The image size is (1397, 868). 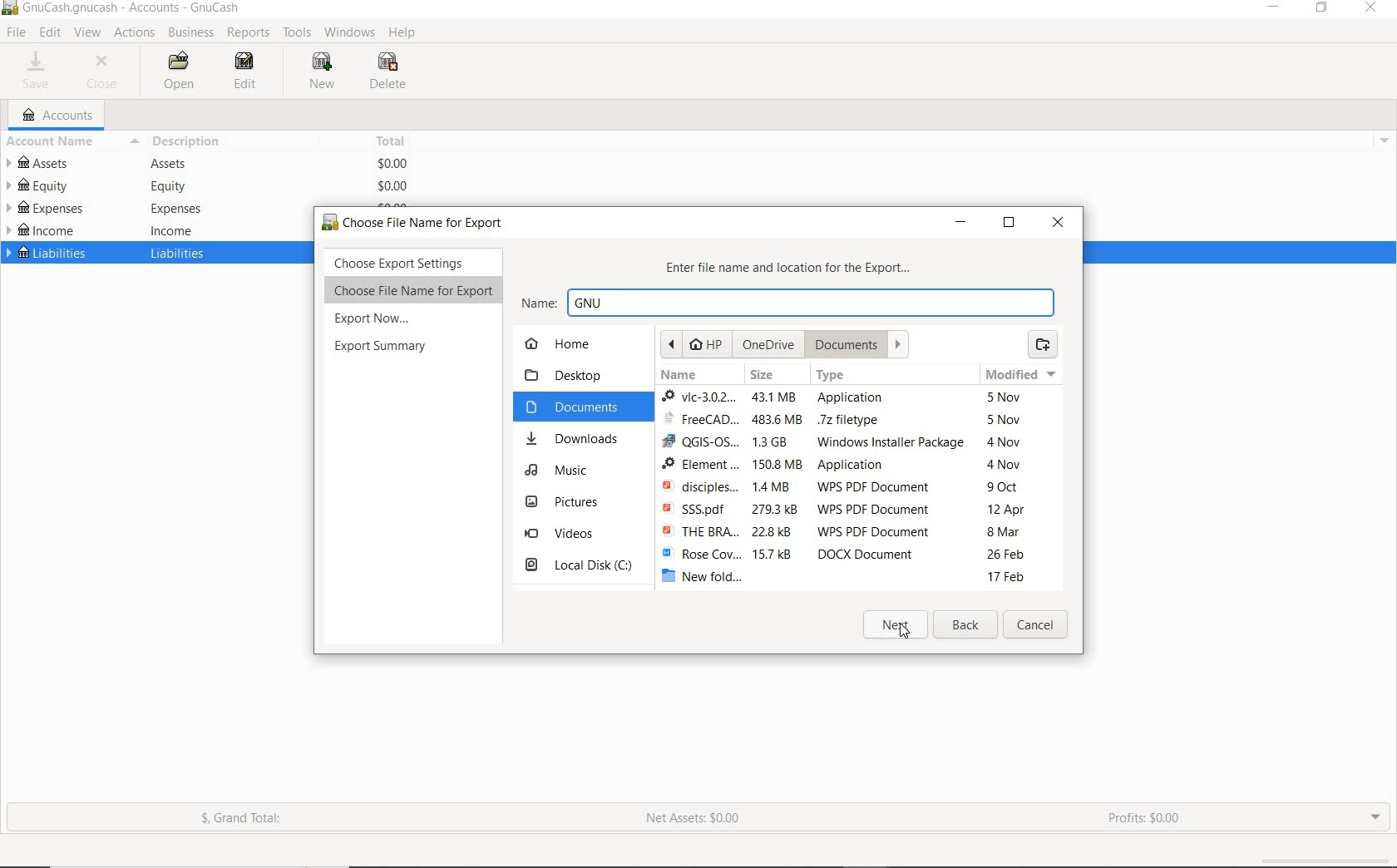 What do you see at coordinates (1044, 345) in the screenshot?
I see `create folder` at bounding box center [1044, 345].